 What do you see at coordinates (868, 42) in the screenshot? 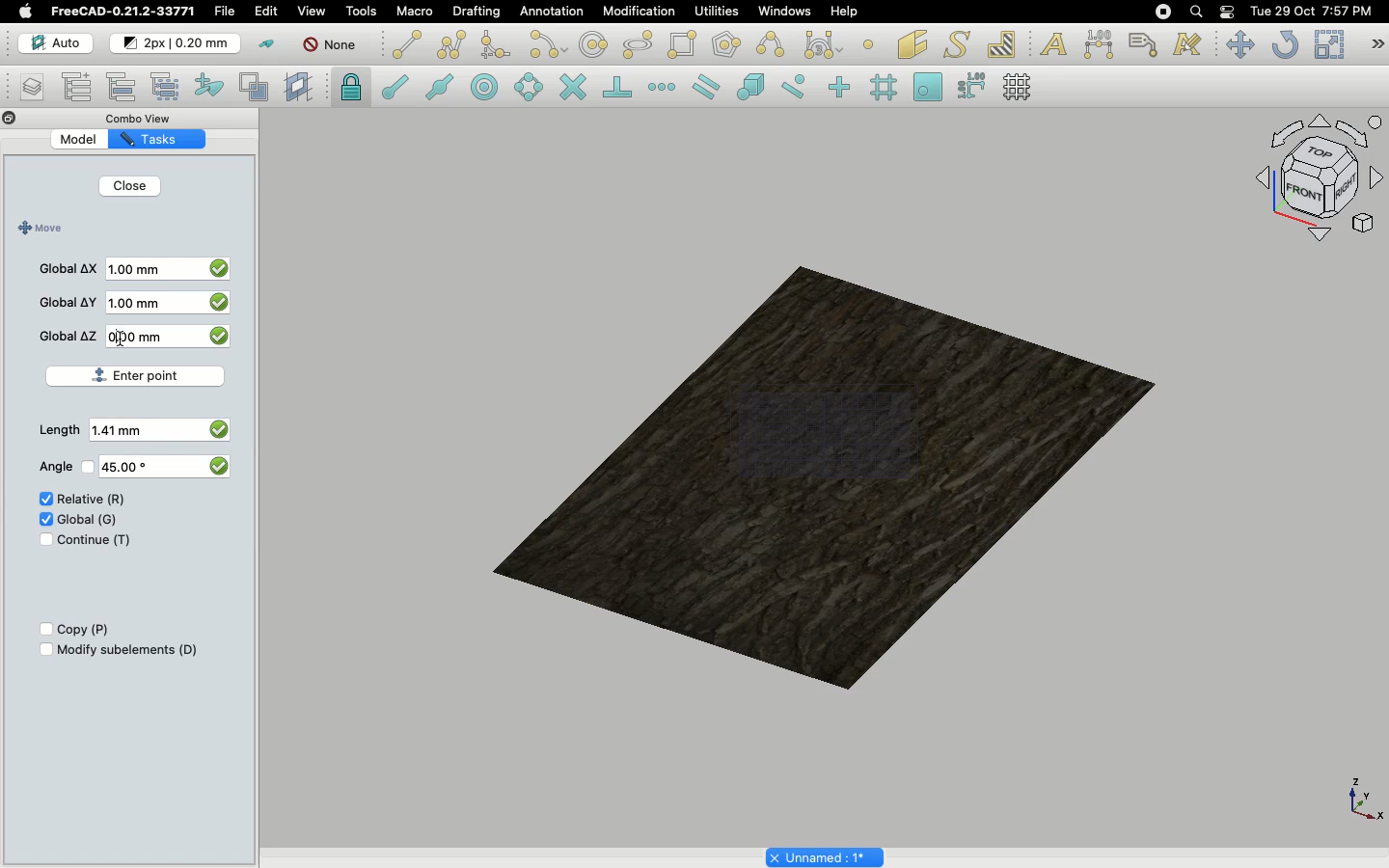
I see `Point` at bounding box center [868, 42].